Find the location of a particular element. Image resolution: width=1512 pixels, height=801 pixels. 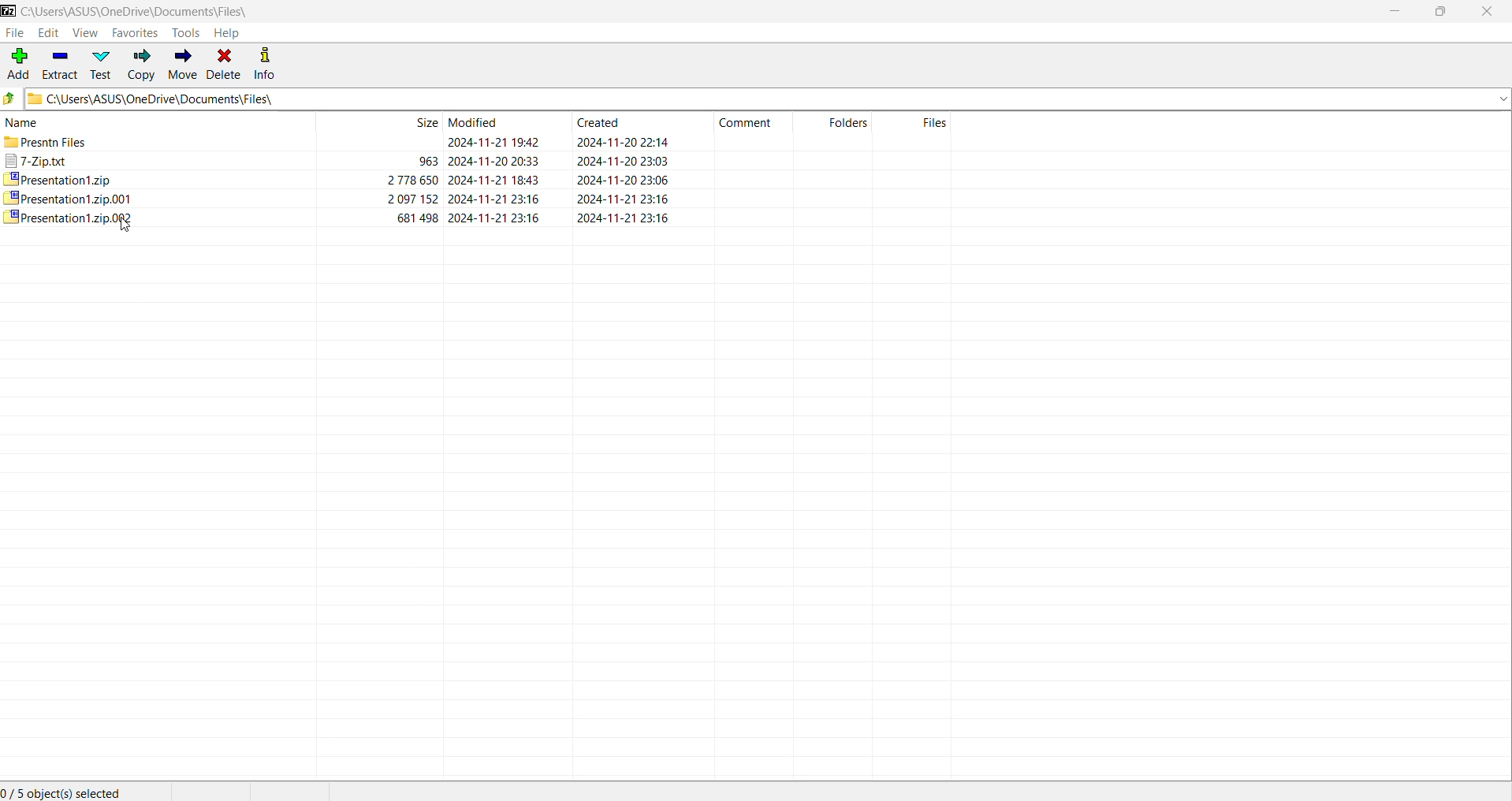

Delete is located at coordinates (224, 64).